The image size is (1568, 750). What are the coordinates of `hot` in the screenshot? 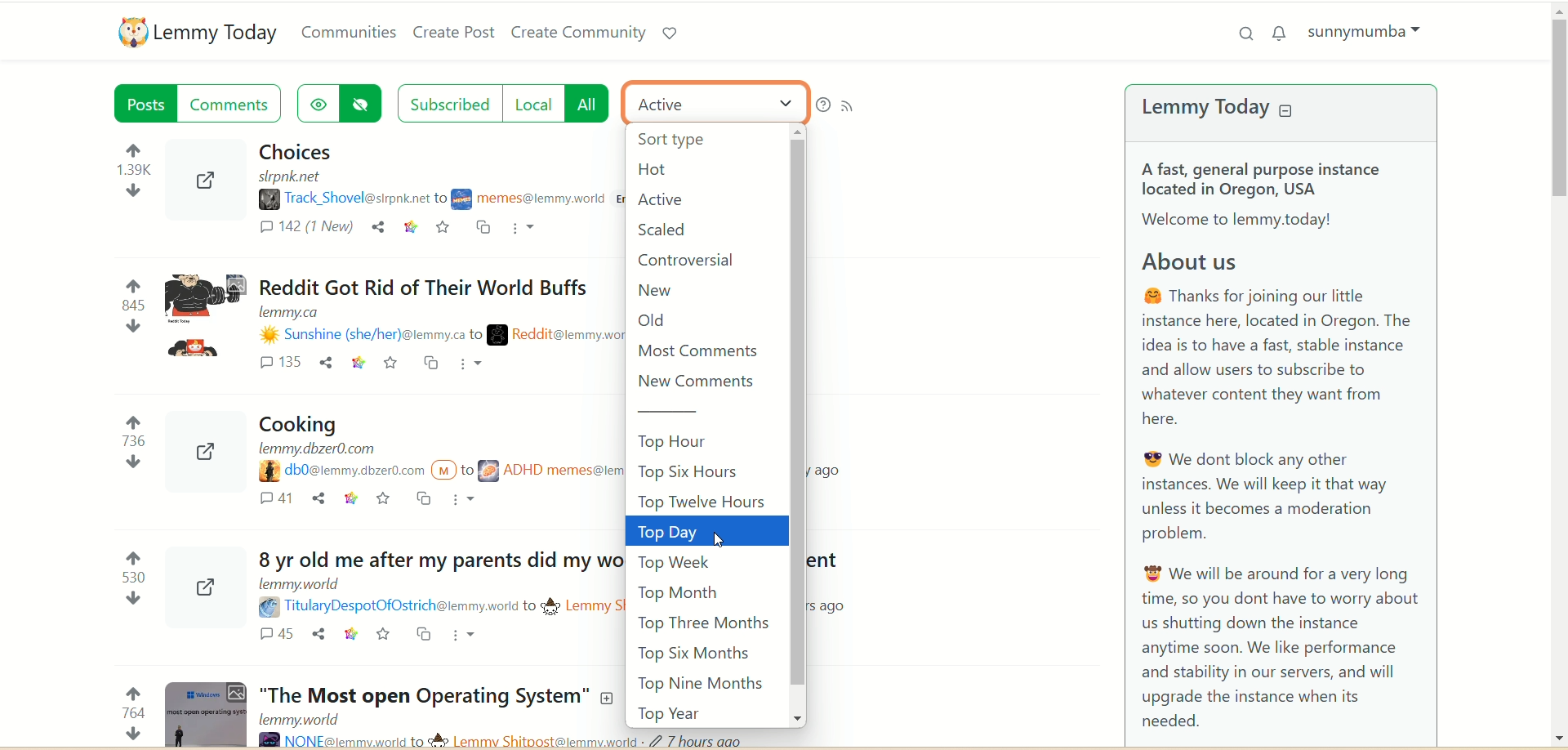 It's located at (662, 171).